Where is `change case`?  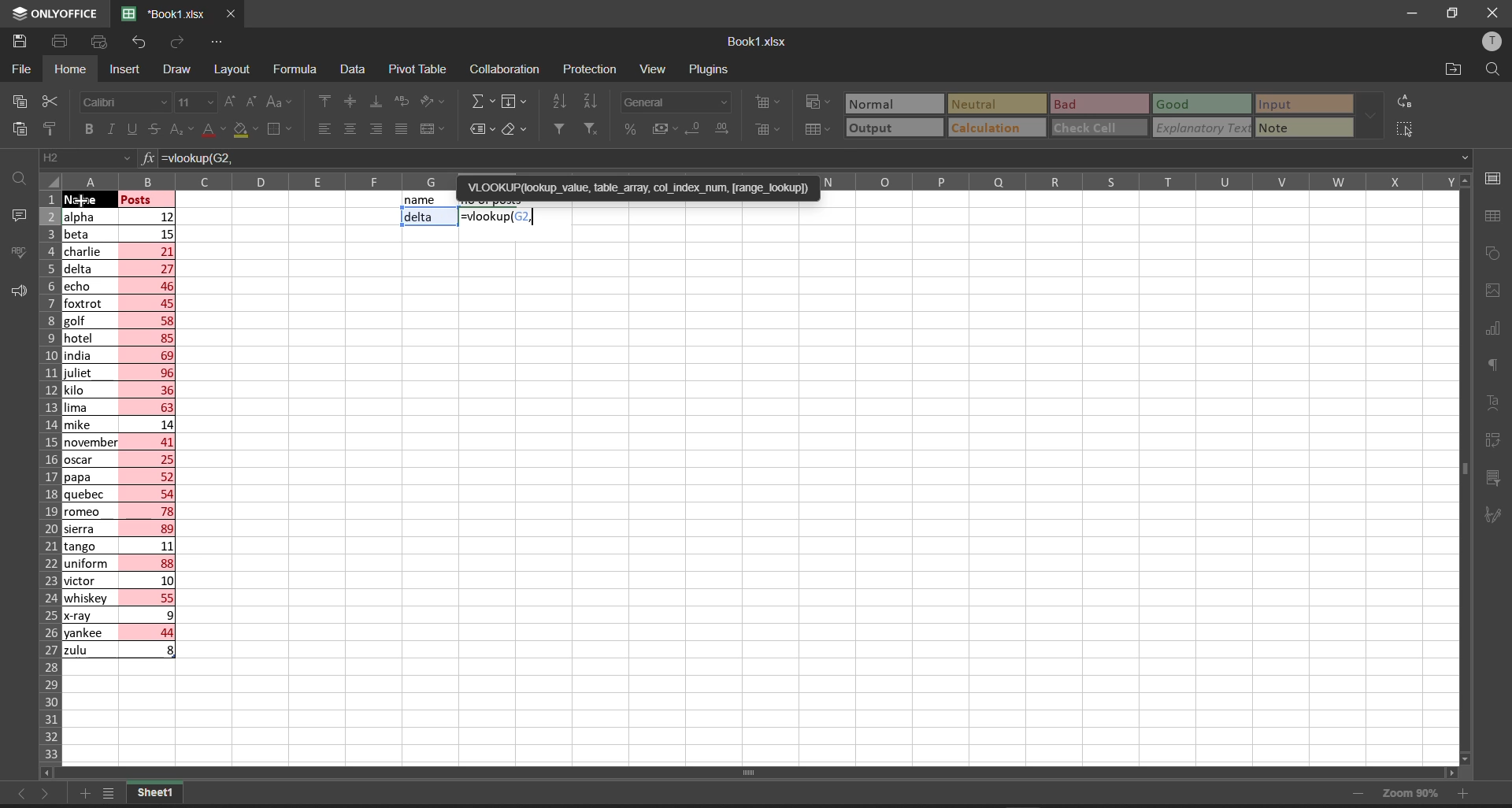
change case is located at coordinates (281, 102).